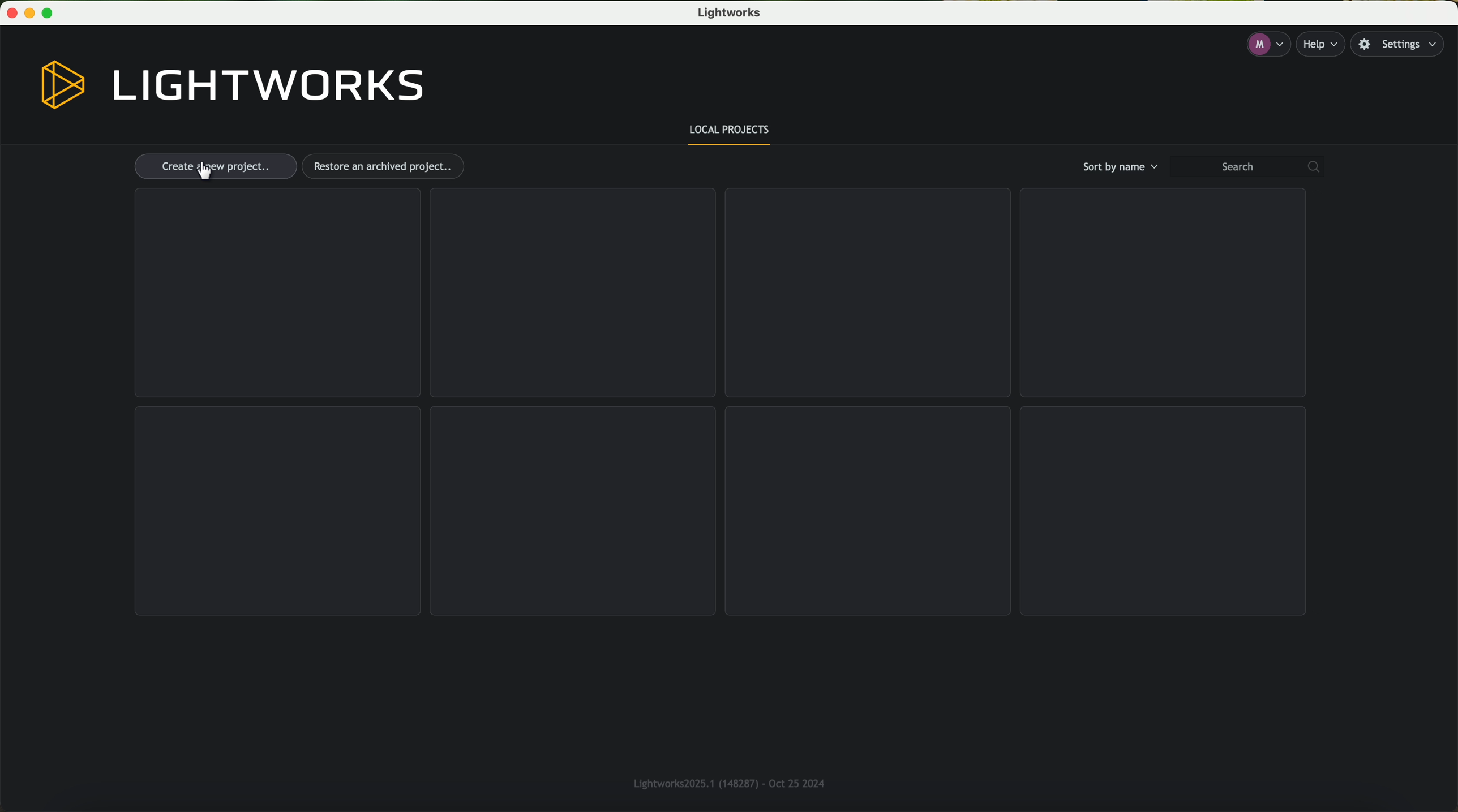  What do you see at coordinates (205, 171) in the screenshot?
I see `Mouse Cursor` at bounding box center [205, 171].